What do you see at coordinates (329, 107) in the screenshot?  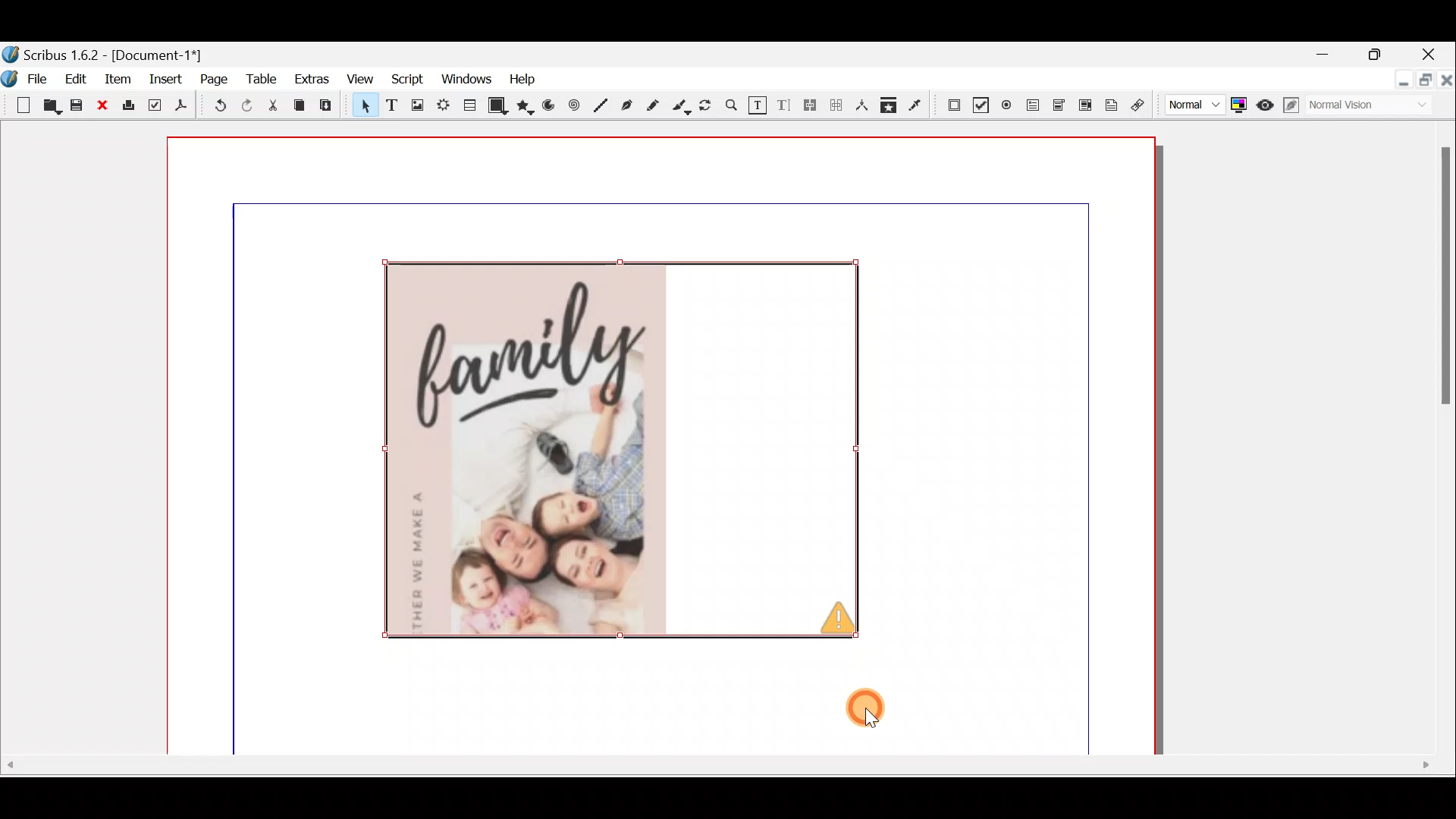 I see `Paste` at bounding box center [329, 107].